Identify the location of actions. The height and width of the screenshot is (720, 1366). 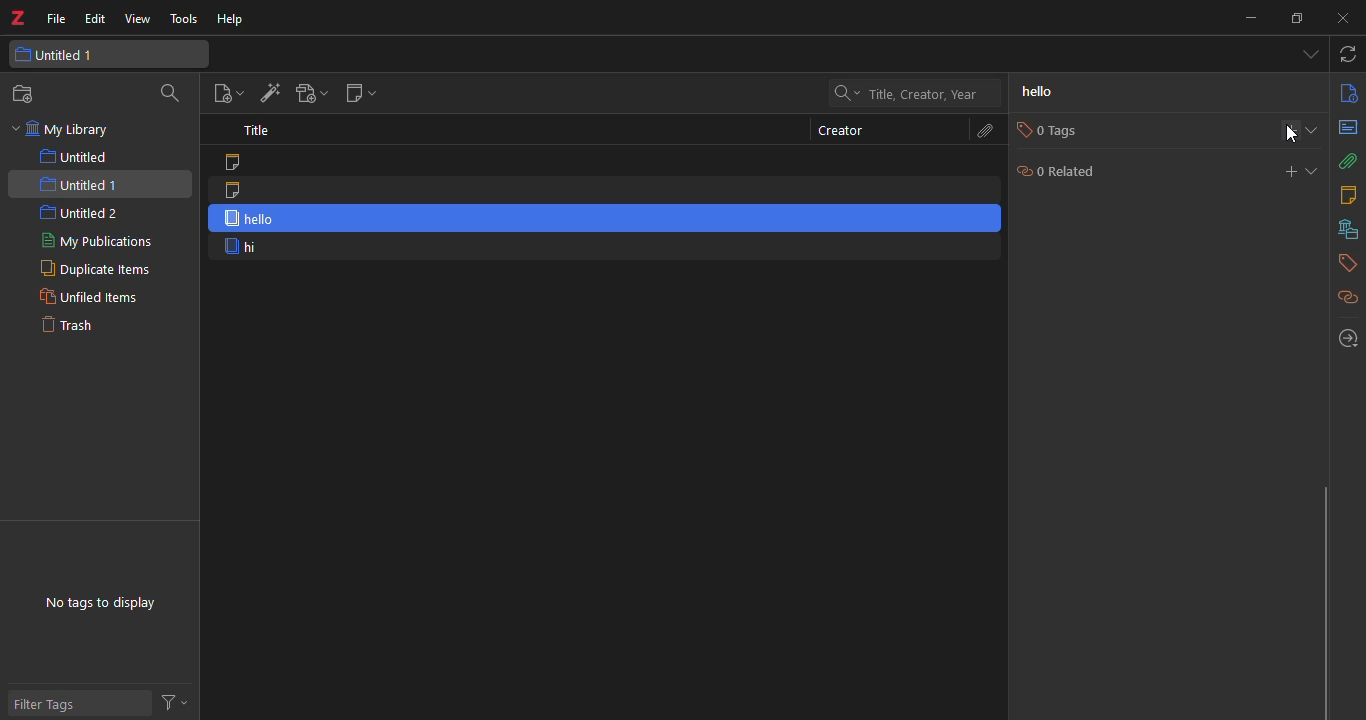
(177, 702).